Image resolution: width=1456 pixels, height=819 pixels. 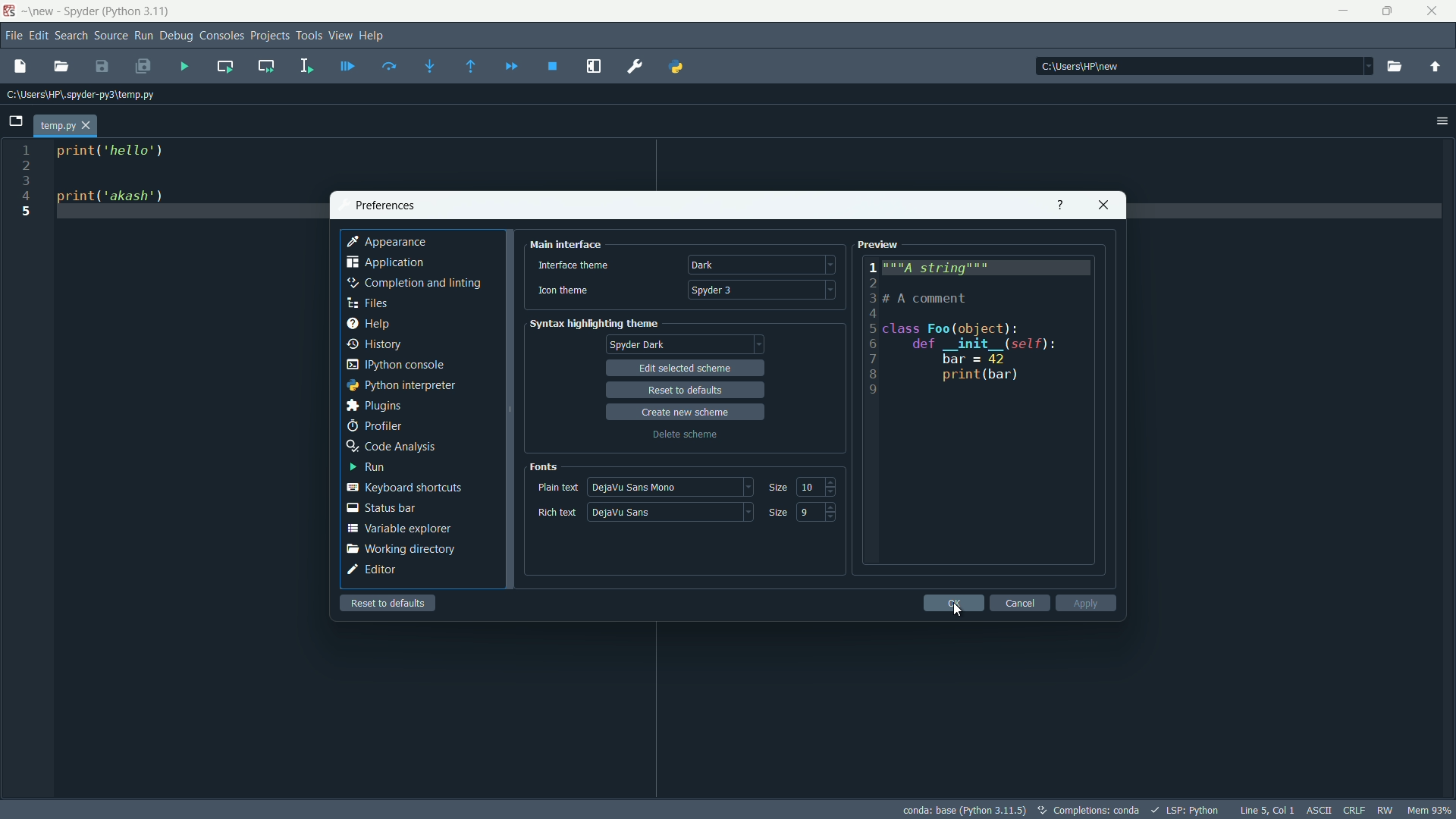 What do you see at coordinates (686, 411) in the screenshot?
I see `create new scheme` at bounding box center [686, 411].